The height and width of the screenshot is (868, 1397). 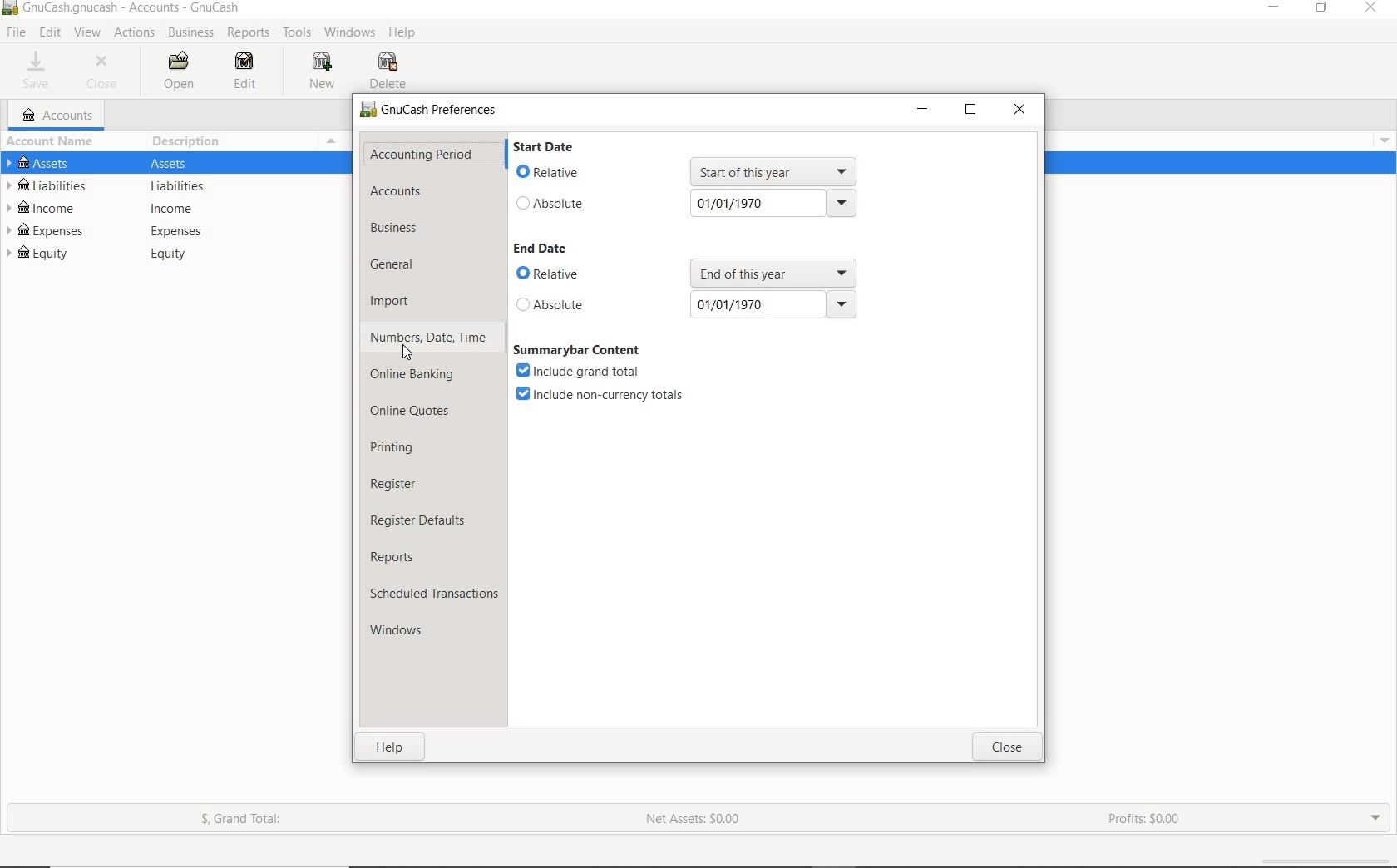 What do you see at coordinates (249, 33) in the screenshot?
I see `REPORTS` at bounding box center [249, 33].